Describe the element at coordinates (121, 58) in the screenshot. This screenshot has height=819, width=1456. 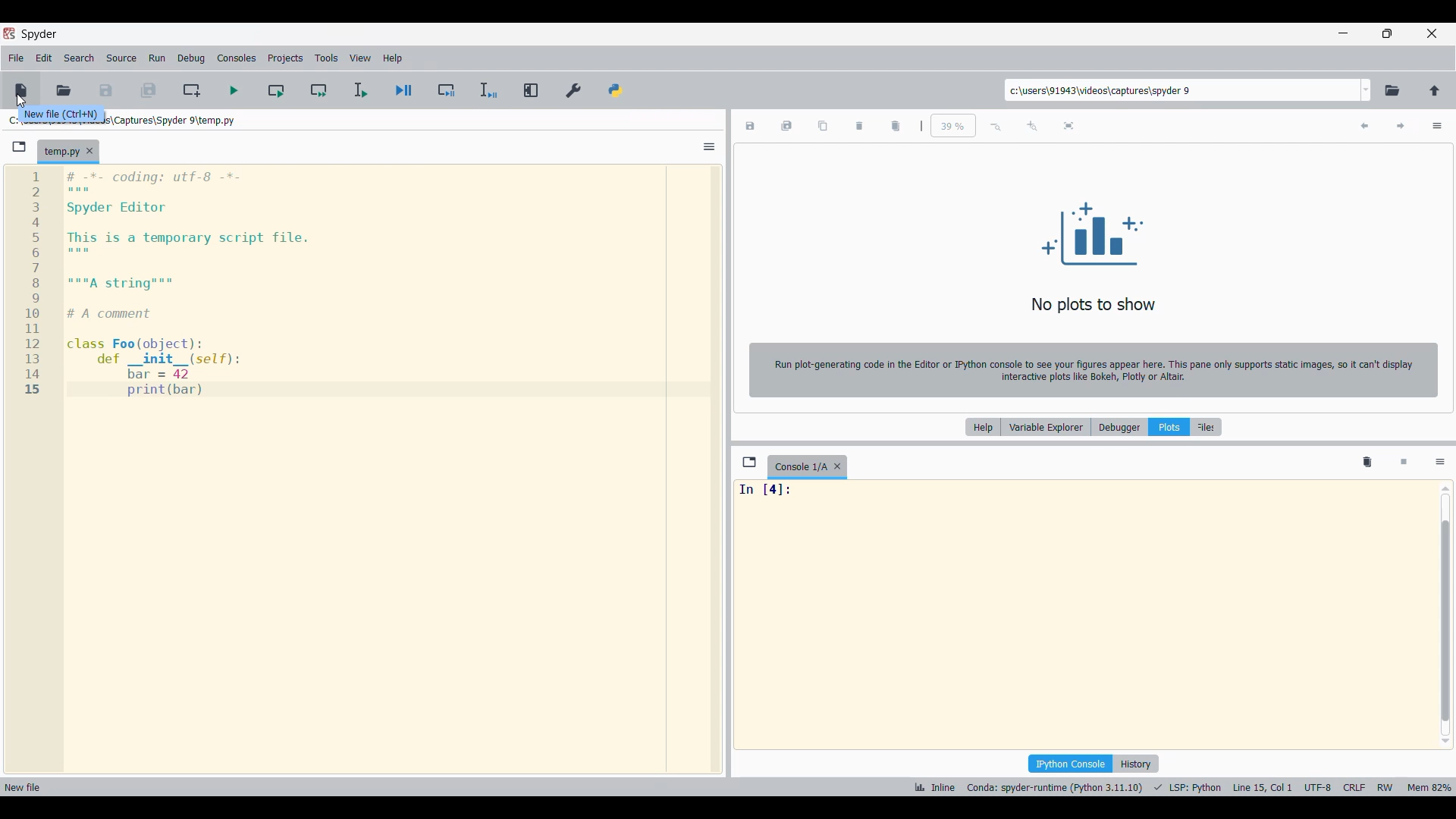
I see `Source menu` at that location.